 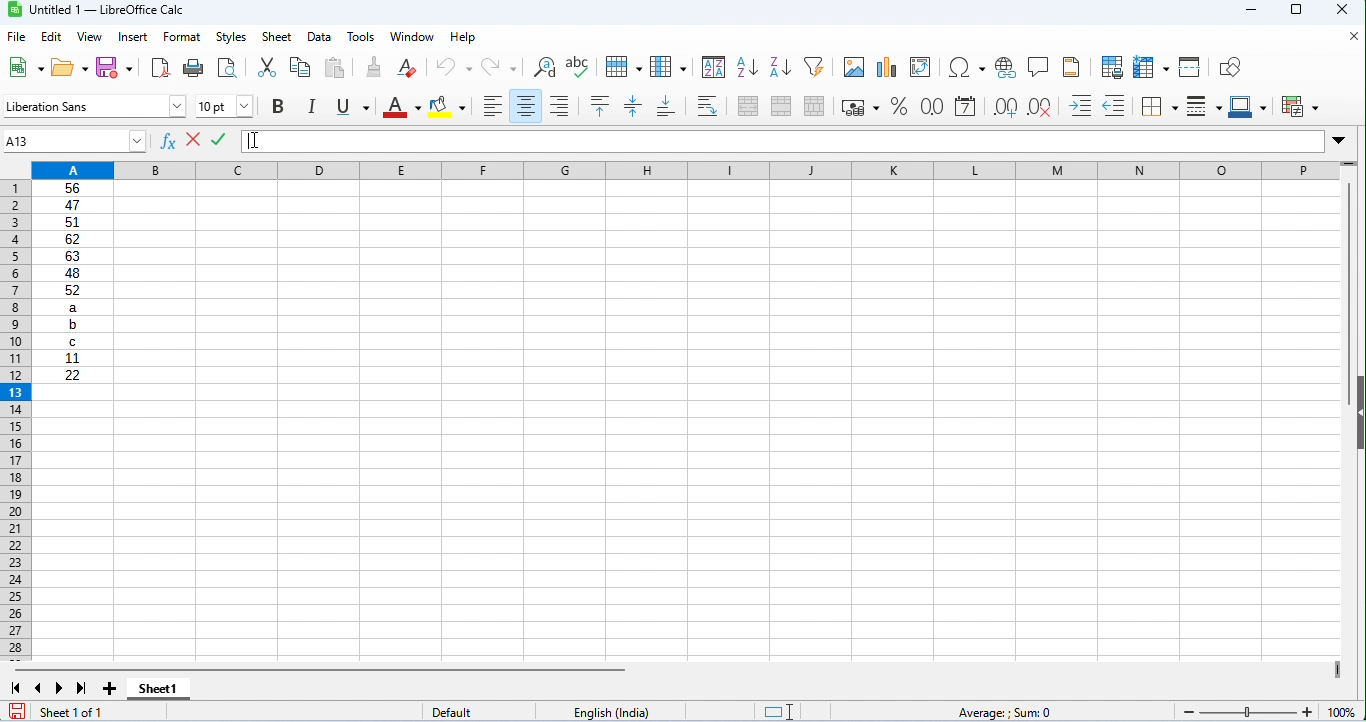 I want to click on selected cell, so click(x=74, y=392).